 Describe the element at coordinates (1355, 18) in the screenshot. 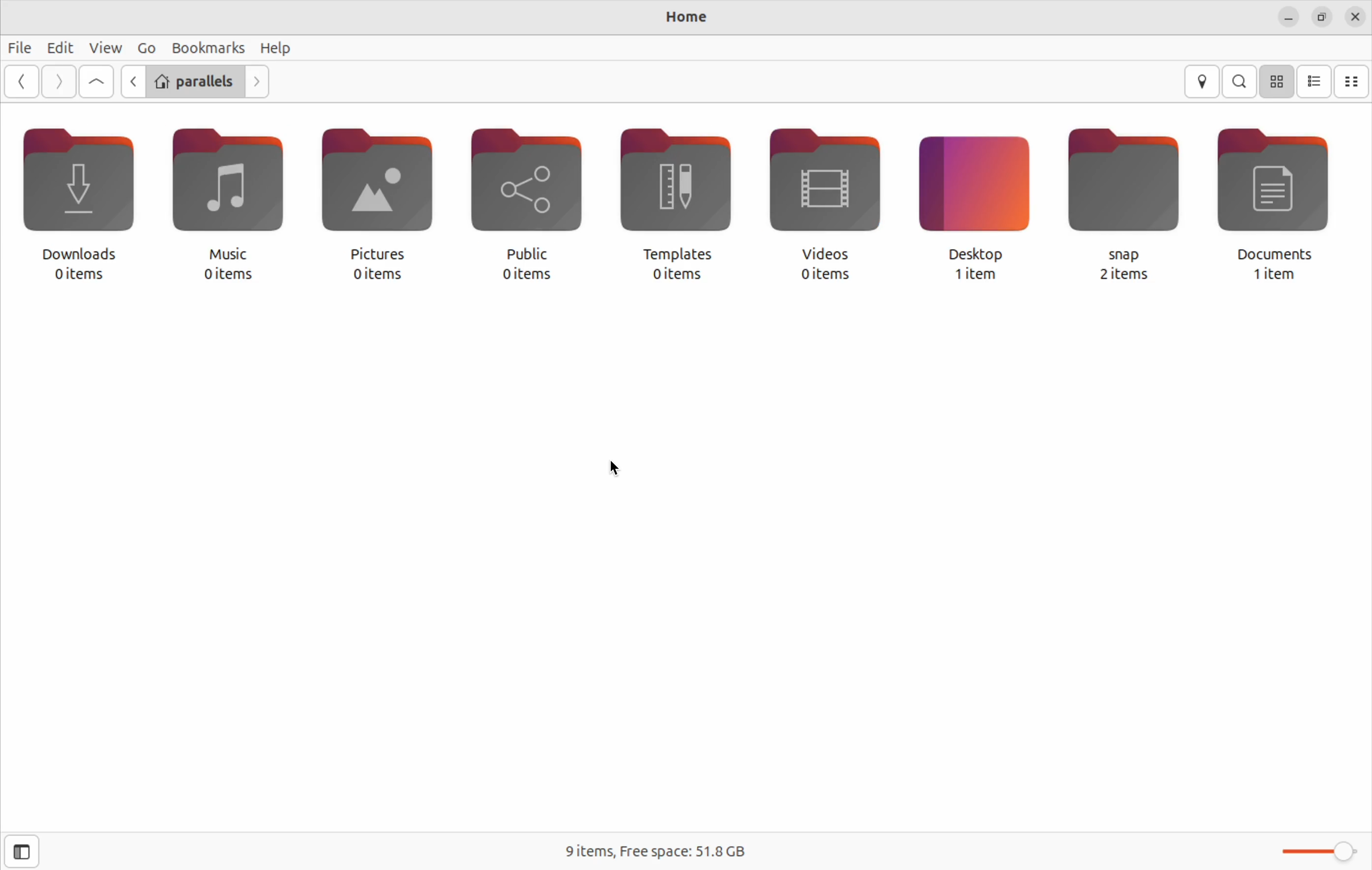

I see `close` at that location.